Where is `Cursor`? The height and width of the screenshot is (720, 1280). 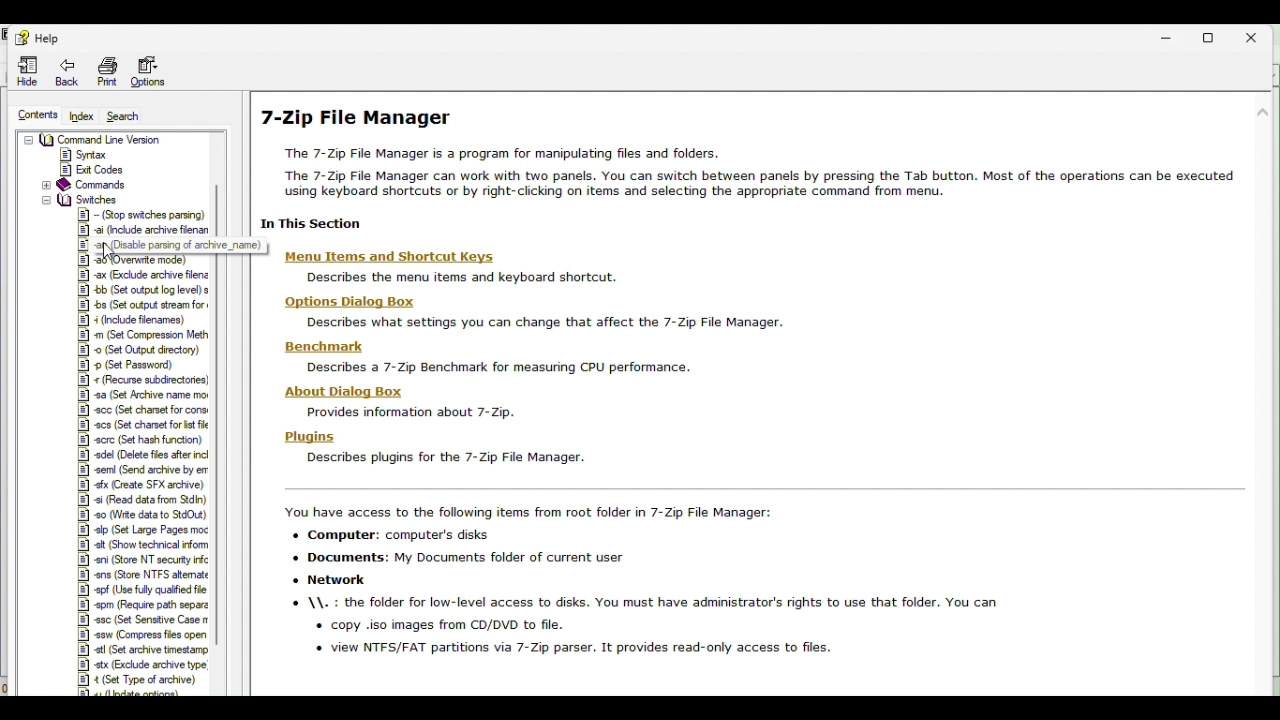 Cursor is located at coordinates (108, 254).